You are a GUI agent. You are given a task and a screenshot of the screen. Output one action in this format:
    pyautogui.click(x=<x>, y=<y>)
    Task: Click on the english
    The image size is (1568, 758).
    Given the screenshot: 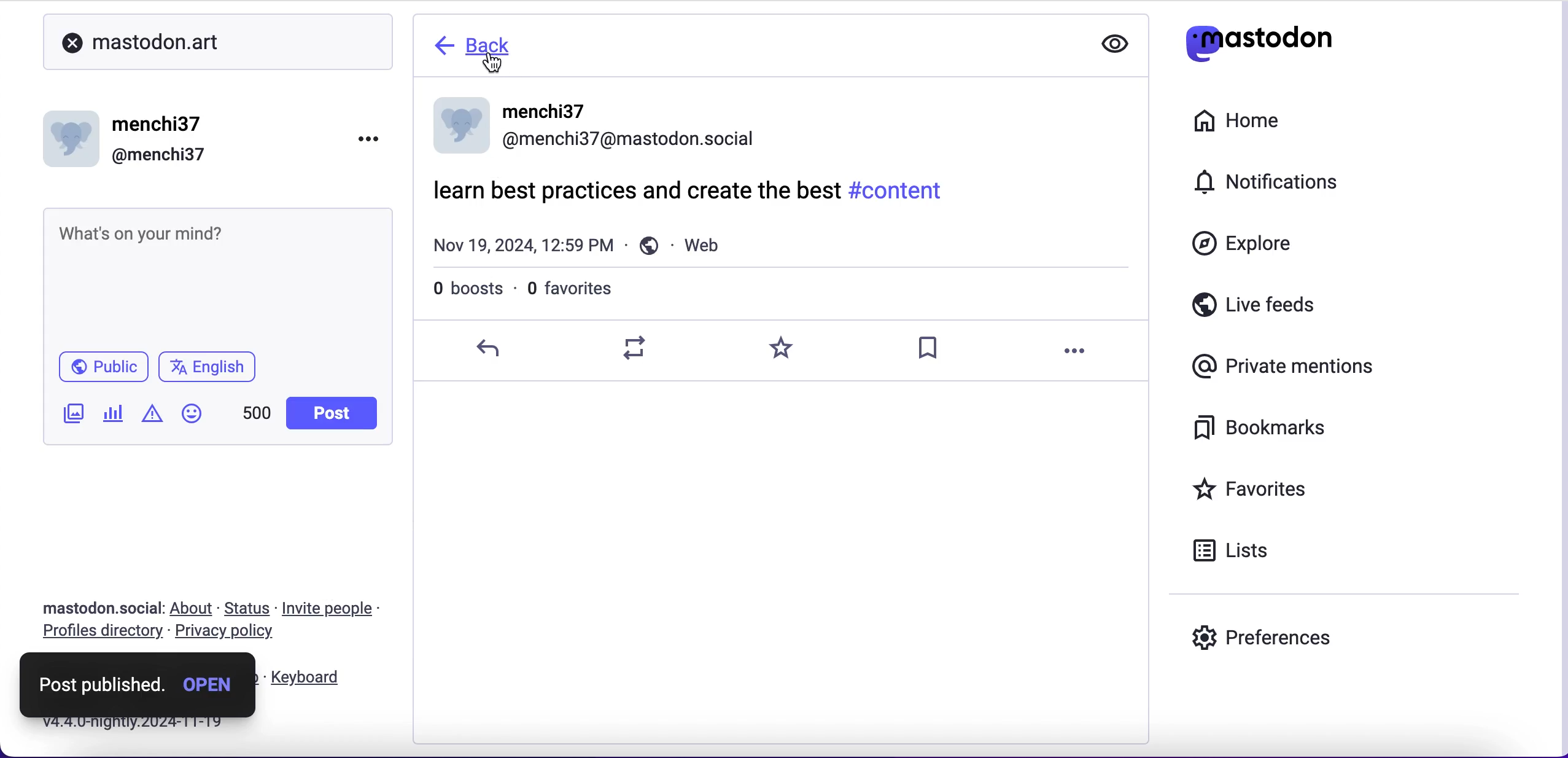 What is the action you would take?
    pyautogui.click(x=215, y=365)
    